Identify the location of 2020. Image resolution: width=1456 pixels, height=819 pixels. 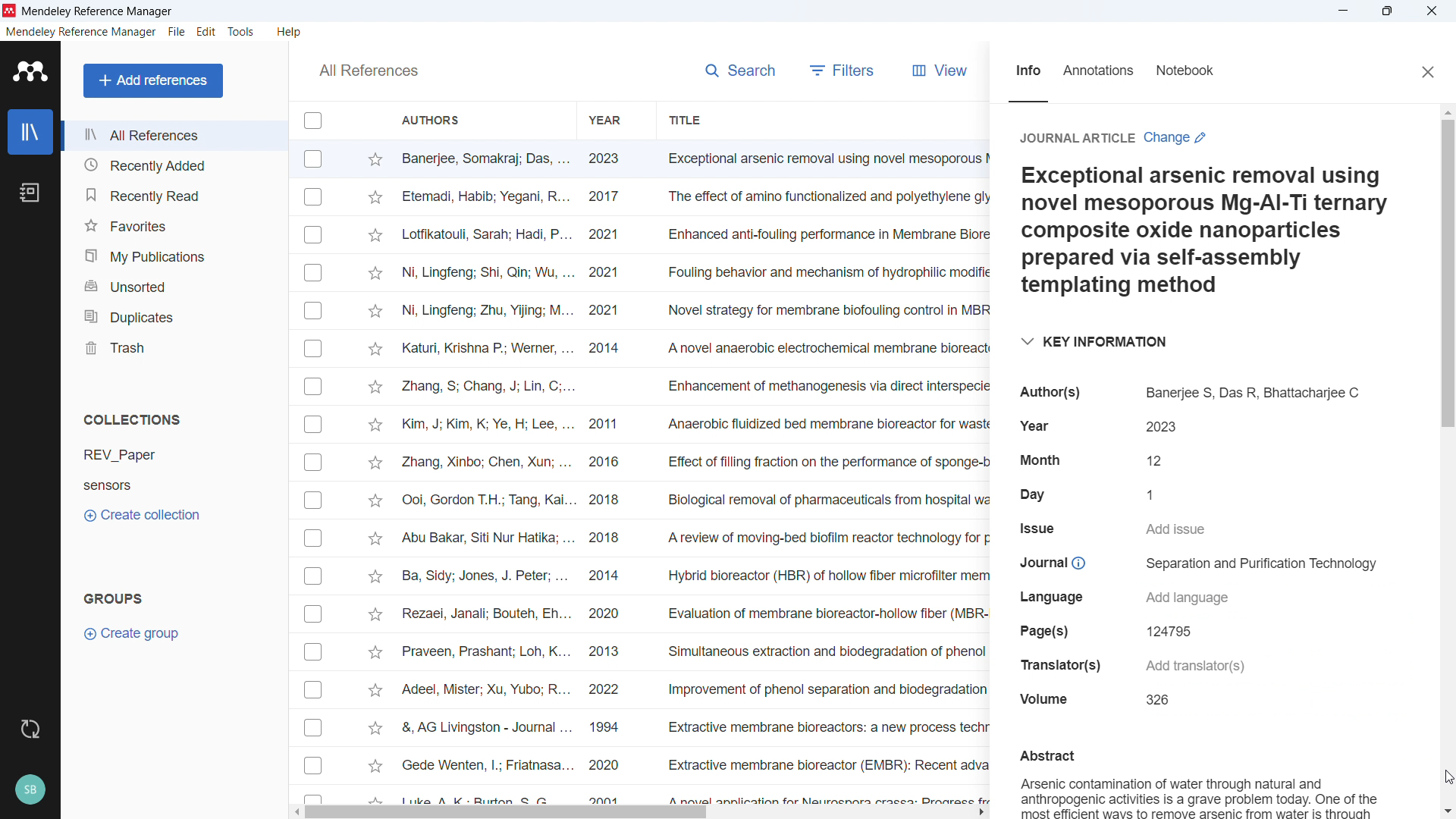
(609, 616).